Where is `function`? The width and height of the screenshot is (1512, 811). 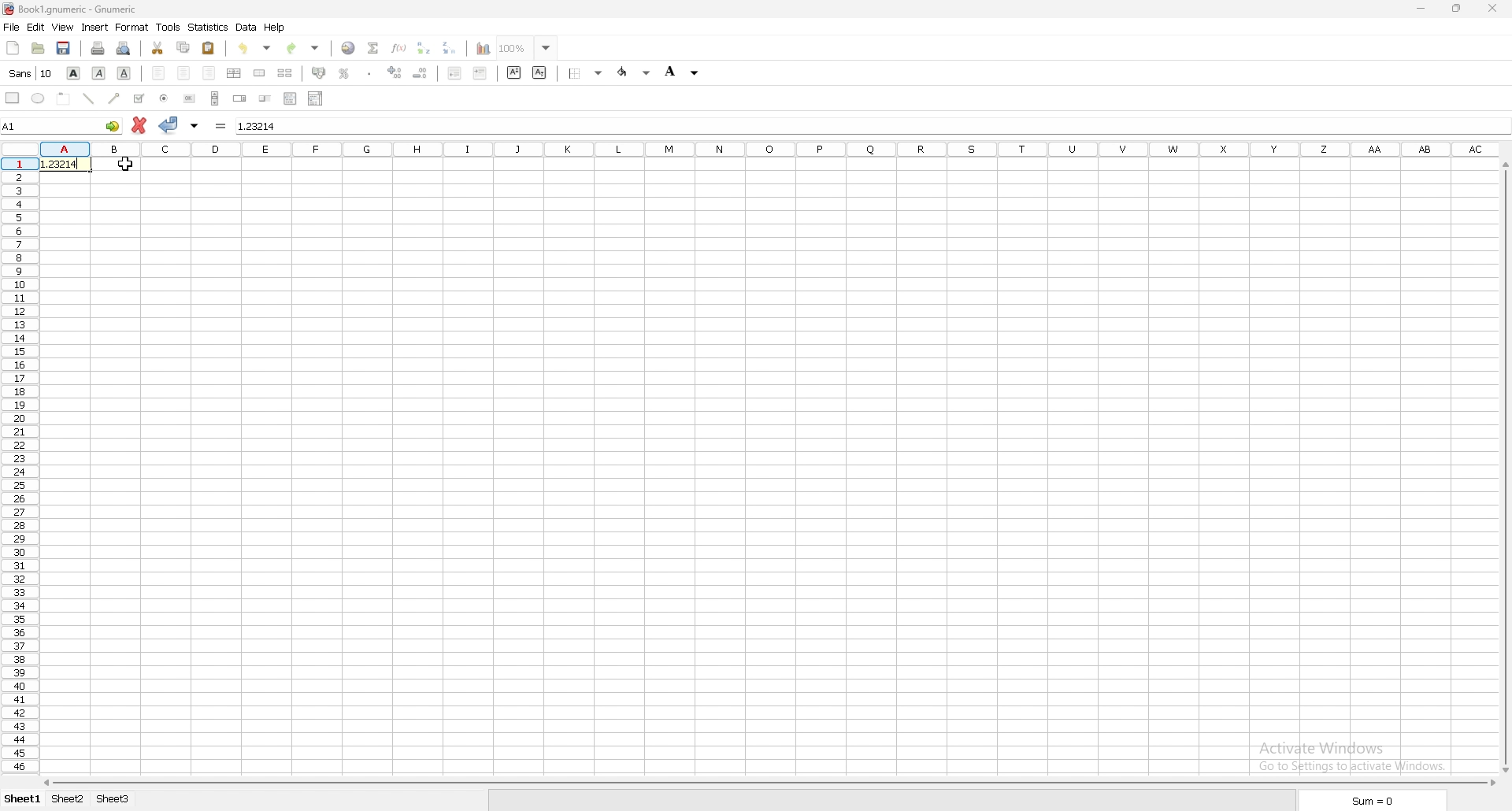 function is located at coordinates (399, 47).